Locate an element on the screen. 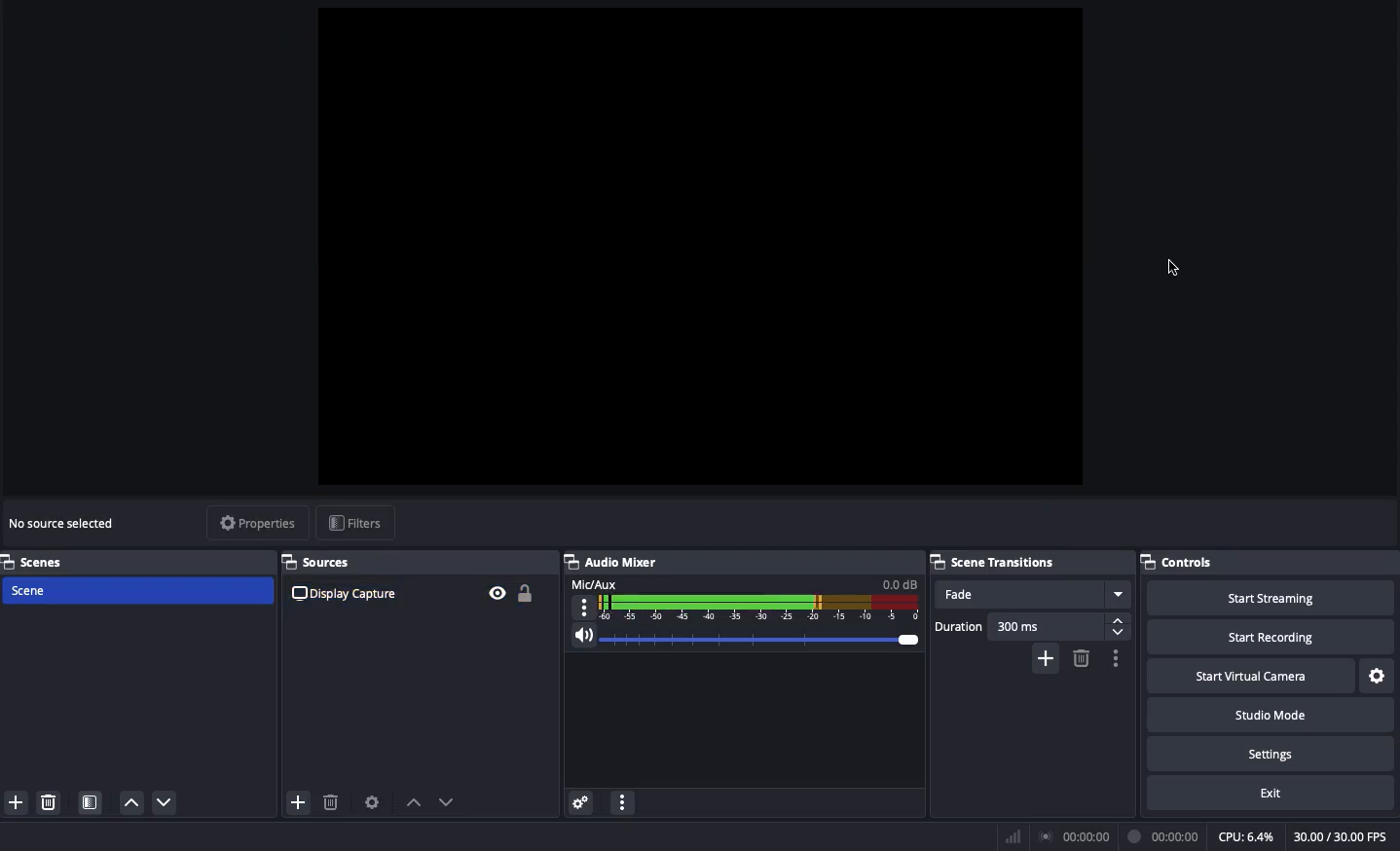 The image size is (1400, 851). Advanced audio properties is located at coordinates (580, 804).